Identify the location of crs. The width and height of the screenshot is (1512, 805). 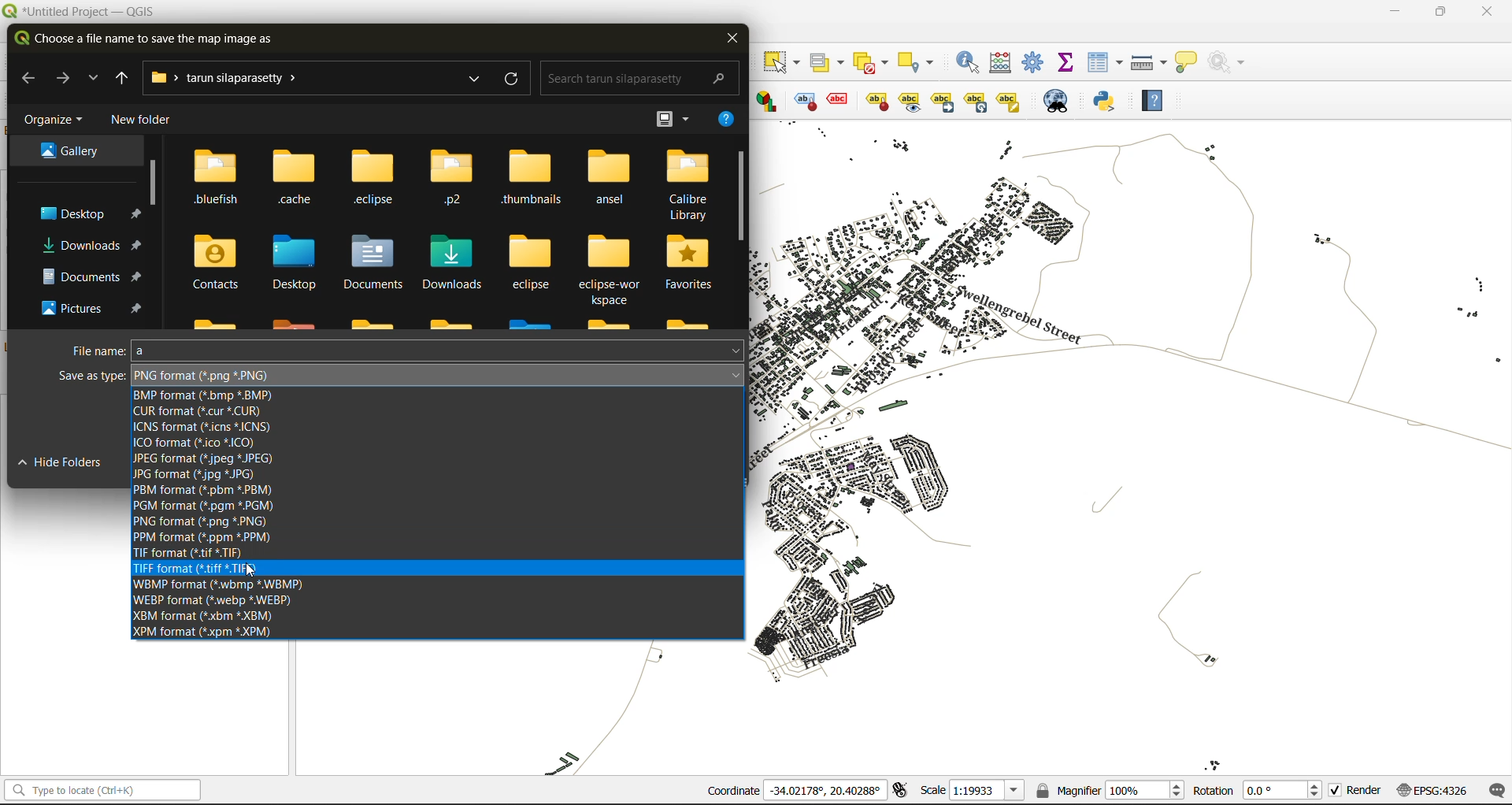
(1428, 788).